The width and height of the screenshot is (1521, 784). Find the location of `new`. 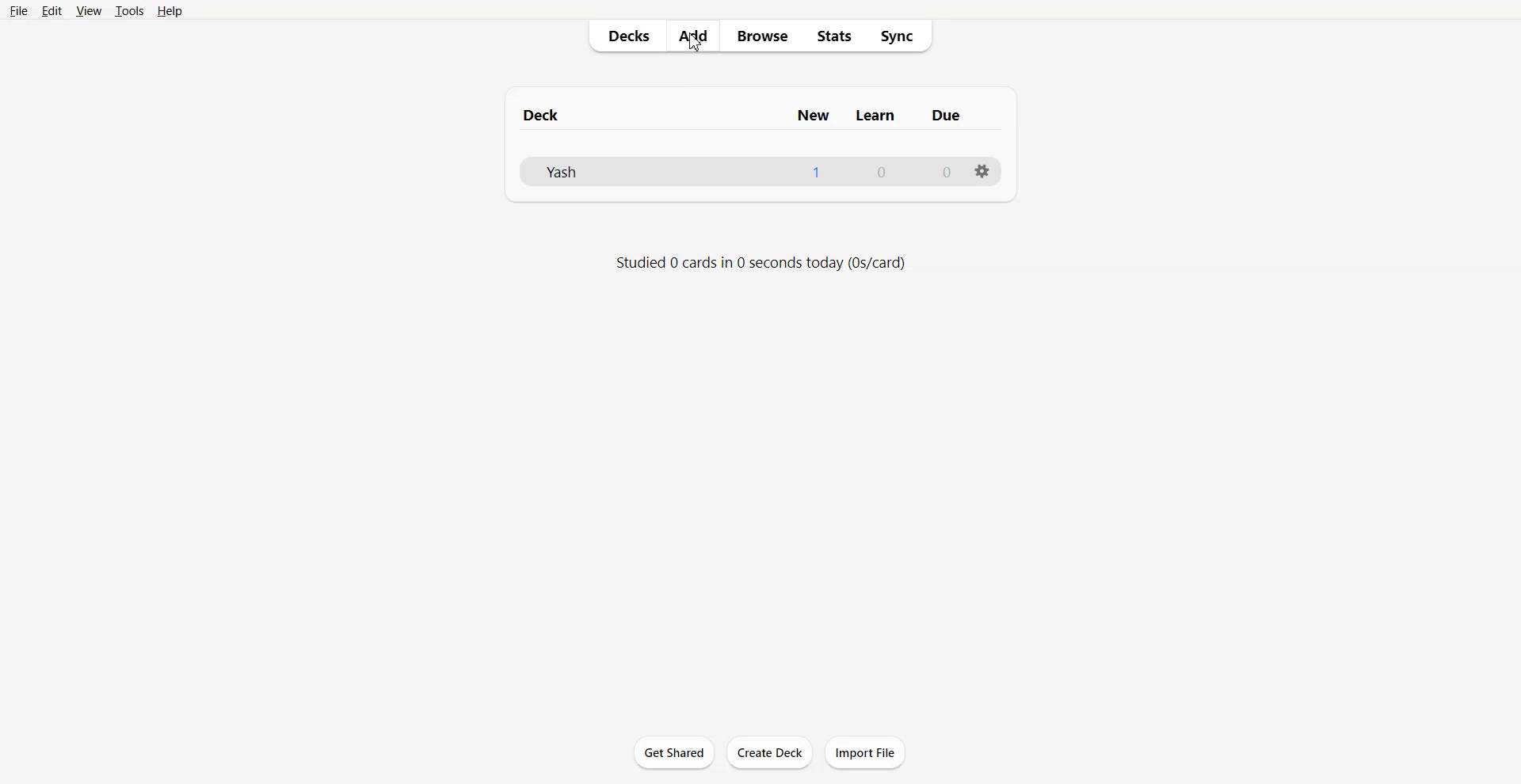

new is located at coordinates (813, 116).